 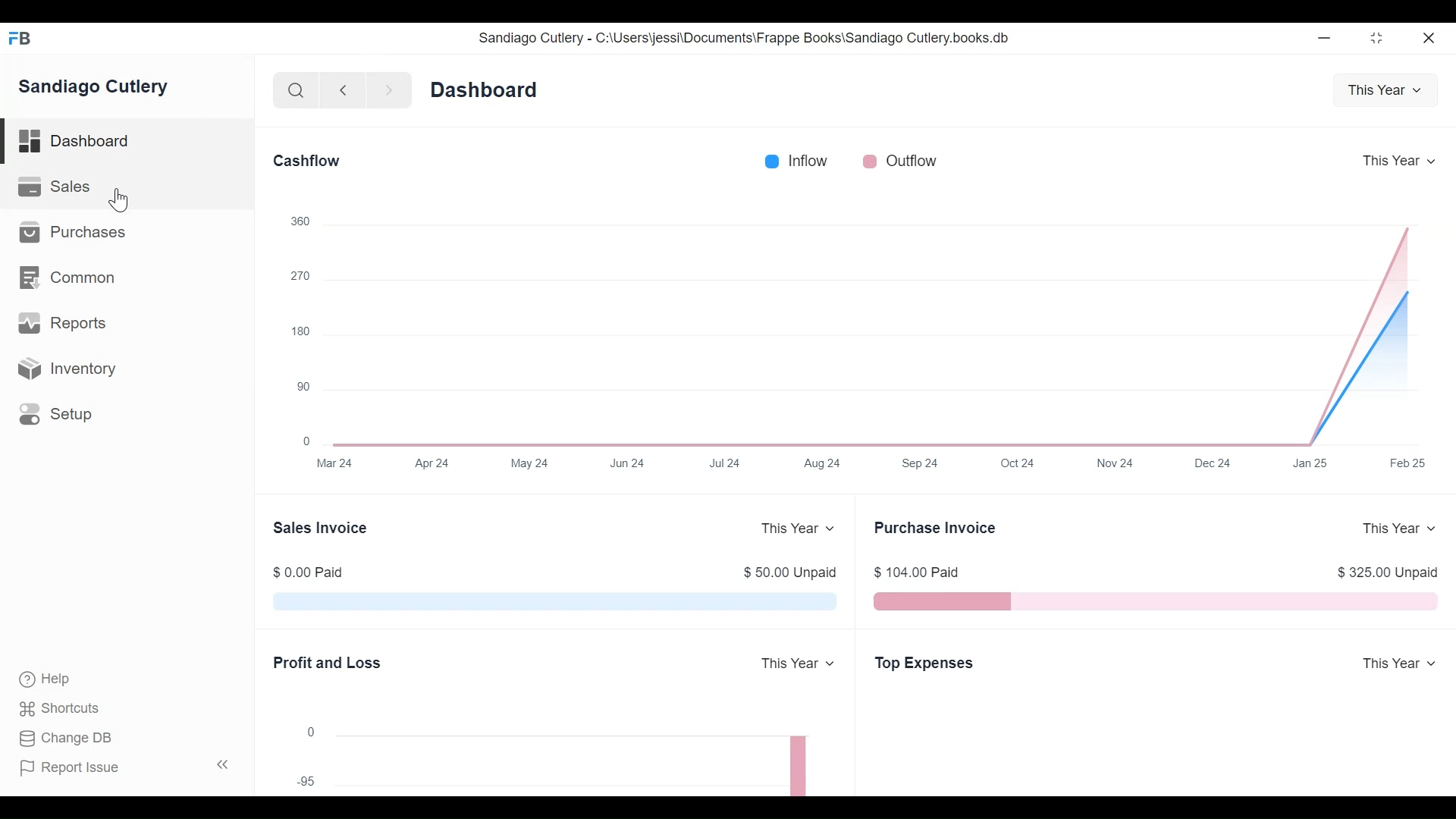 I want to click on Jun 24, so click(x=626, y=463).